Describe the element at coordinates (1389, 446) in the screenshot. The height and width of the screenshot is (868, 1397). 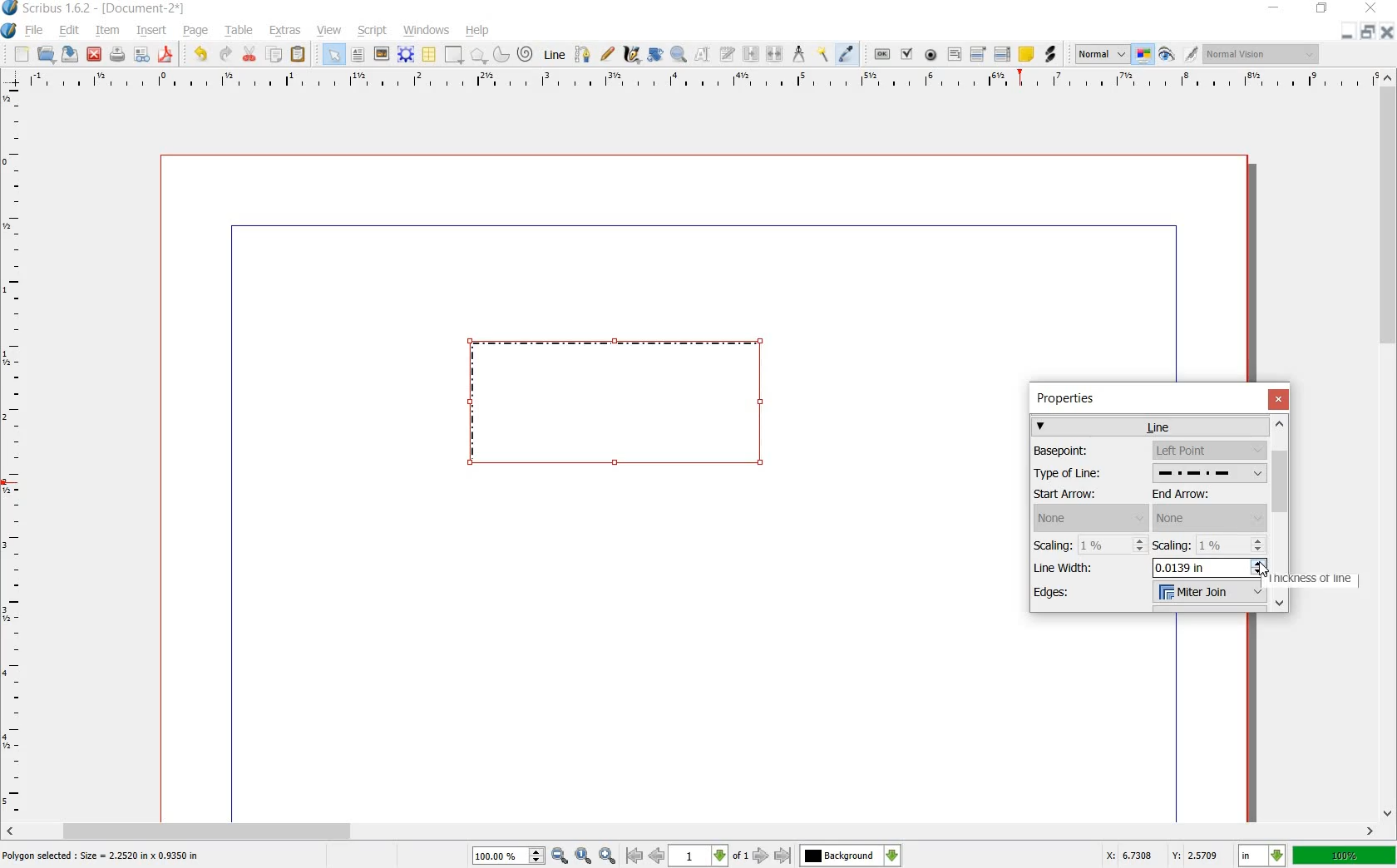
I see `SCROLLBAR` at that location.